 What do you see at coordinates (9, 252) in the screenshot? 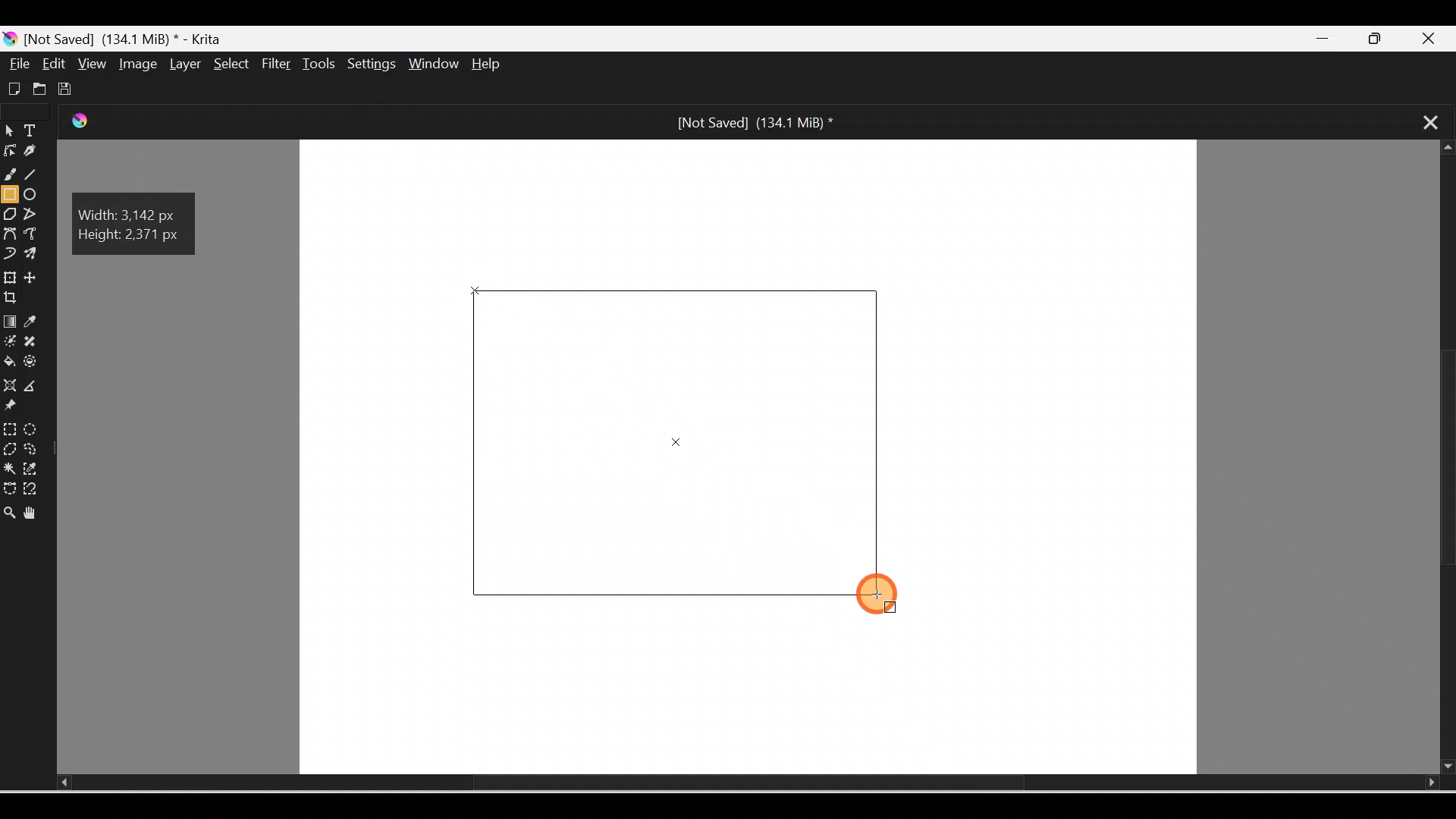
I see `Dynamic brush tool` at bounding box center [9, 252].